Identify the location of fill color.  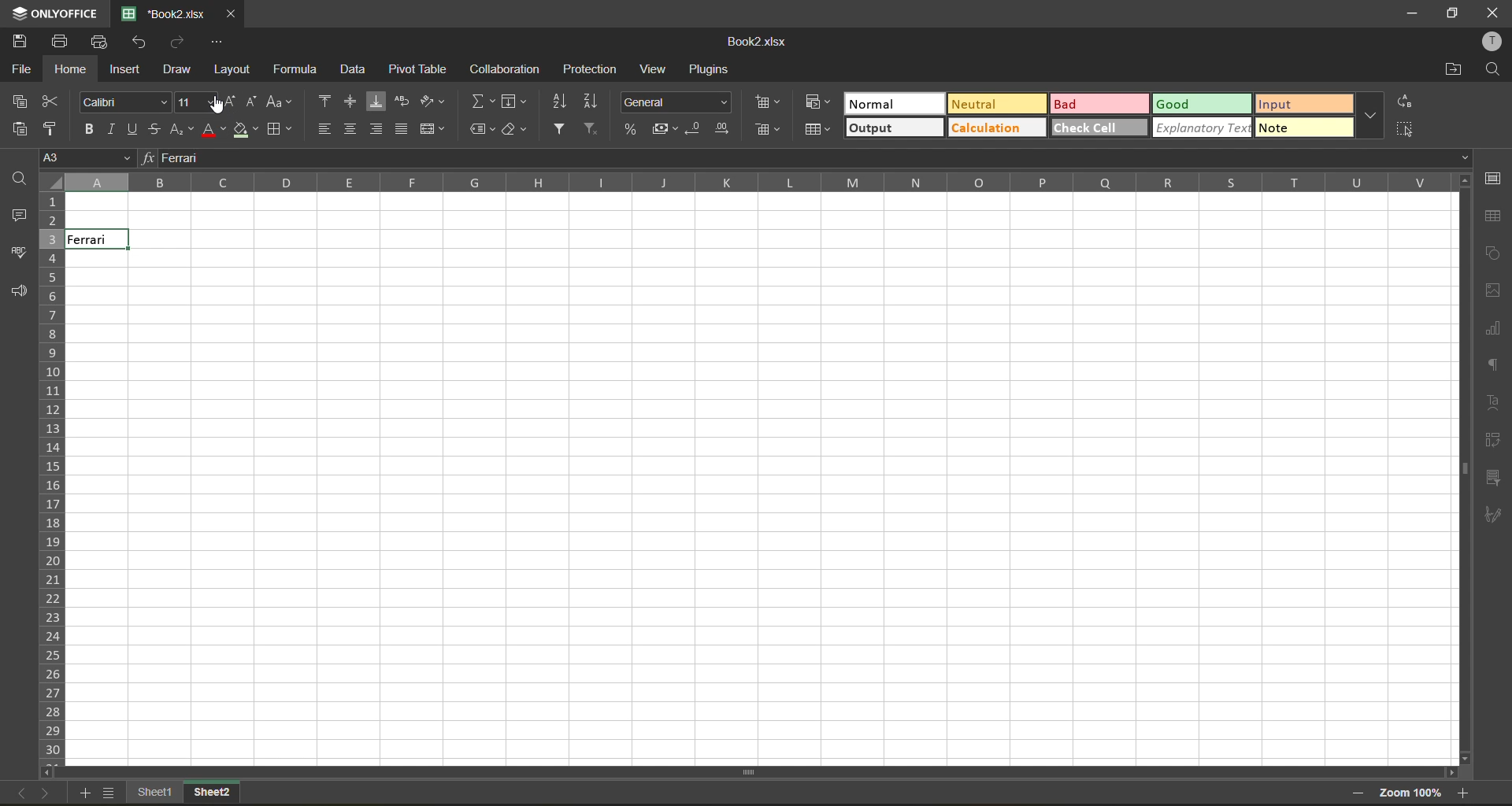
(246, 130).